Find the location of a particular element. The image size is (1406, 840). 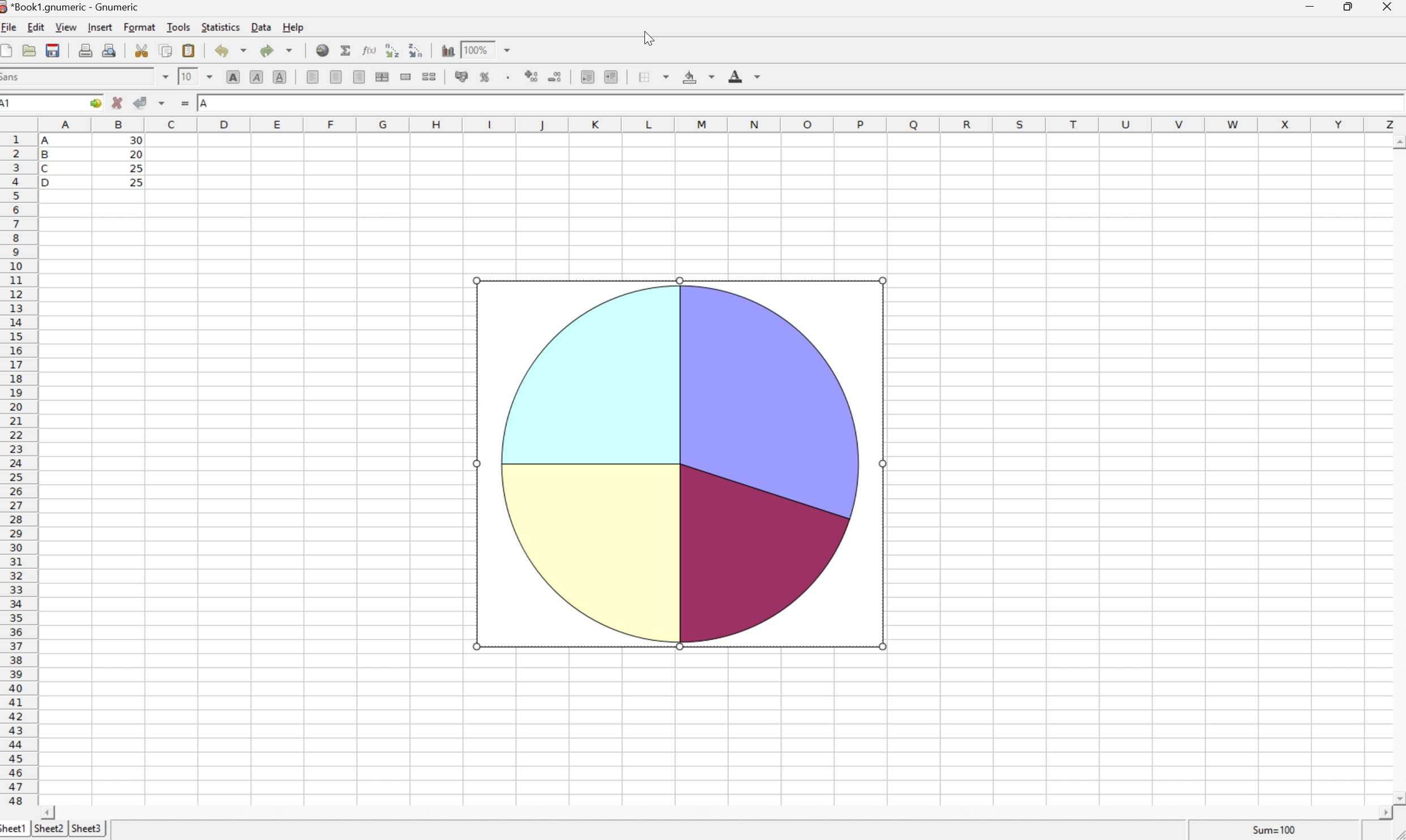

Sum = 0 is located at coordinates (1272, 830).